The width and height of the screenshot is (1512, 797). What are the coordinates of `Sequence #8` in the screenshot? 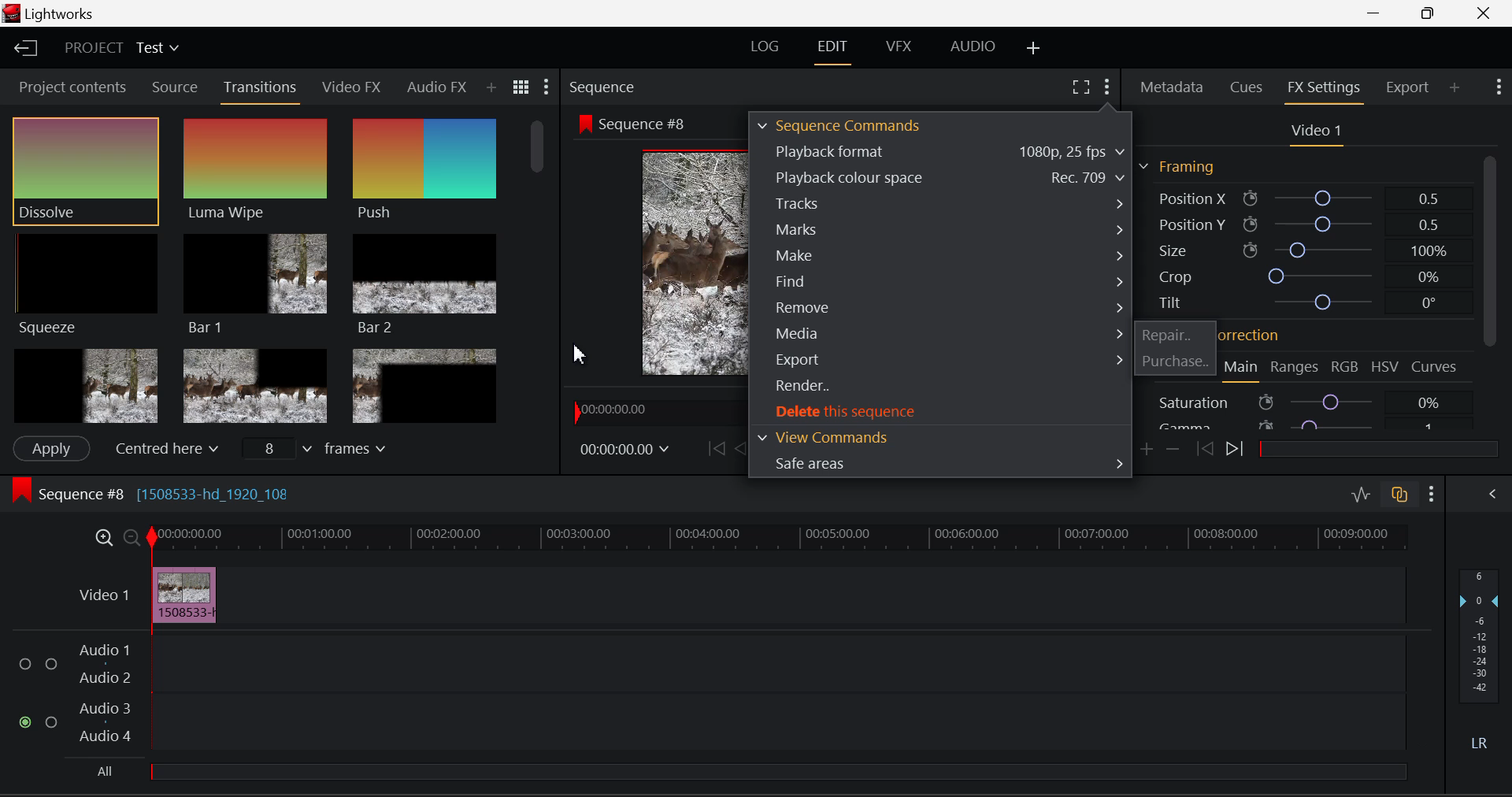 It's located at (639, 124).